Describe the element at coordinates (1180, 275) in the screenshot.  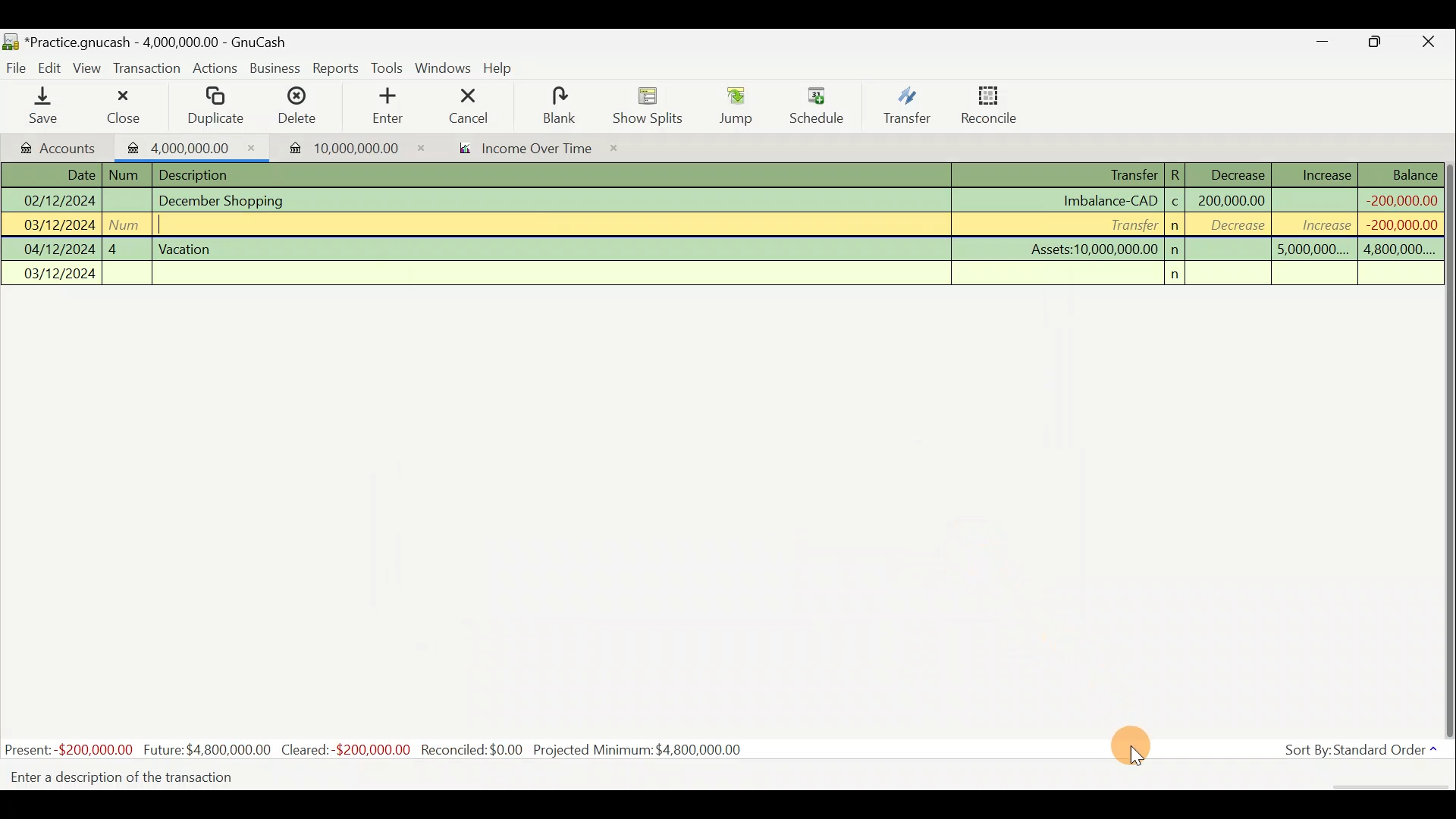
I see `n` at that location.